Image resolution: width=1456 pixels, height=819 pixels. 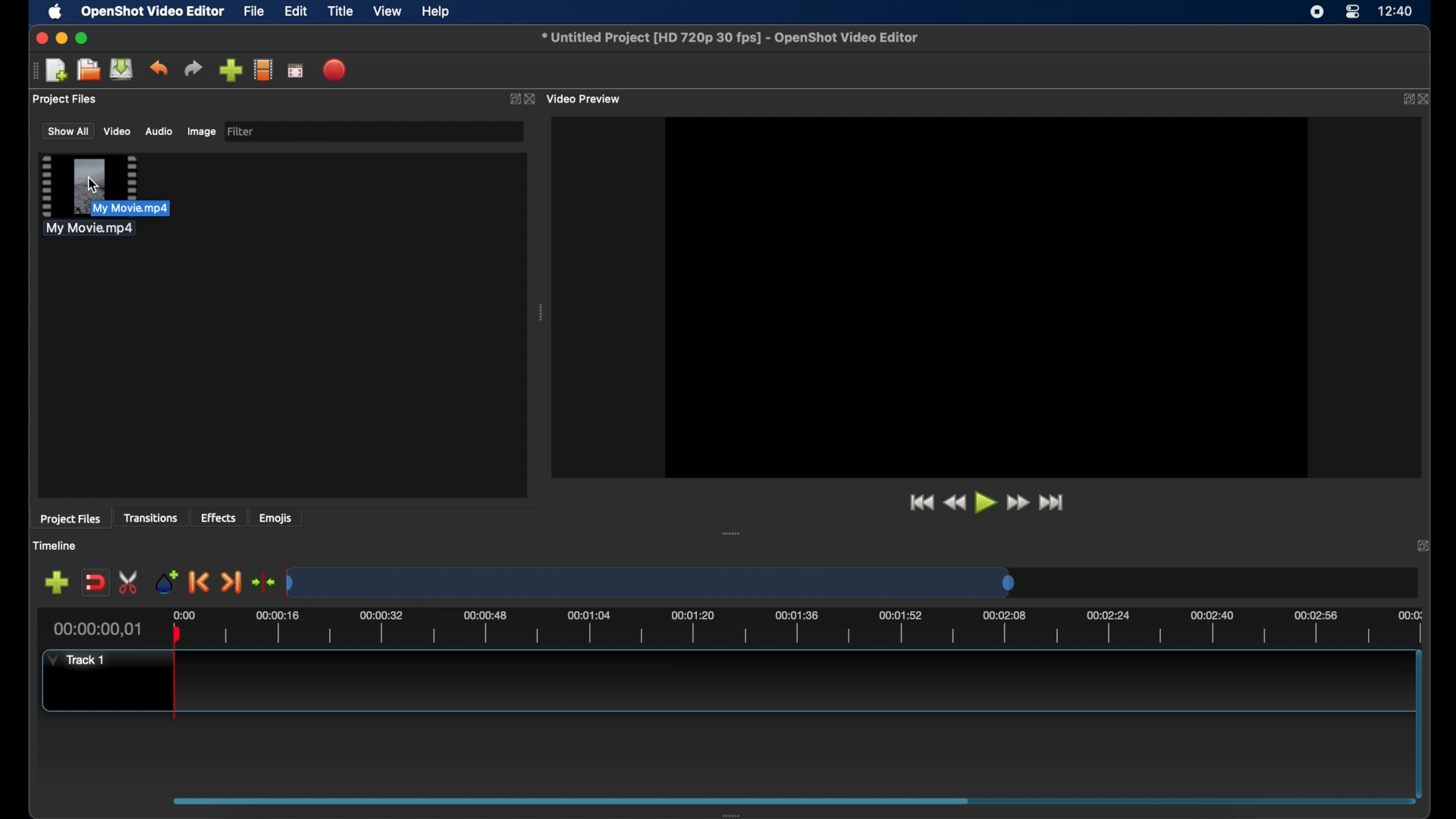 What do you see at coordinates (57, 71) in the screenshot?
I see `new project` at bounding box center [57, 71].